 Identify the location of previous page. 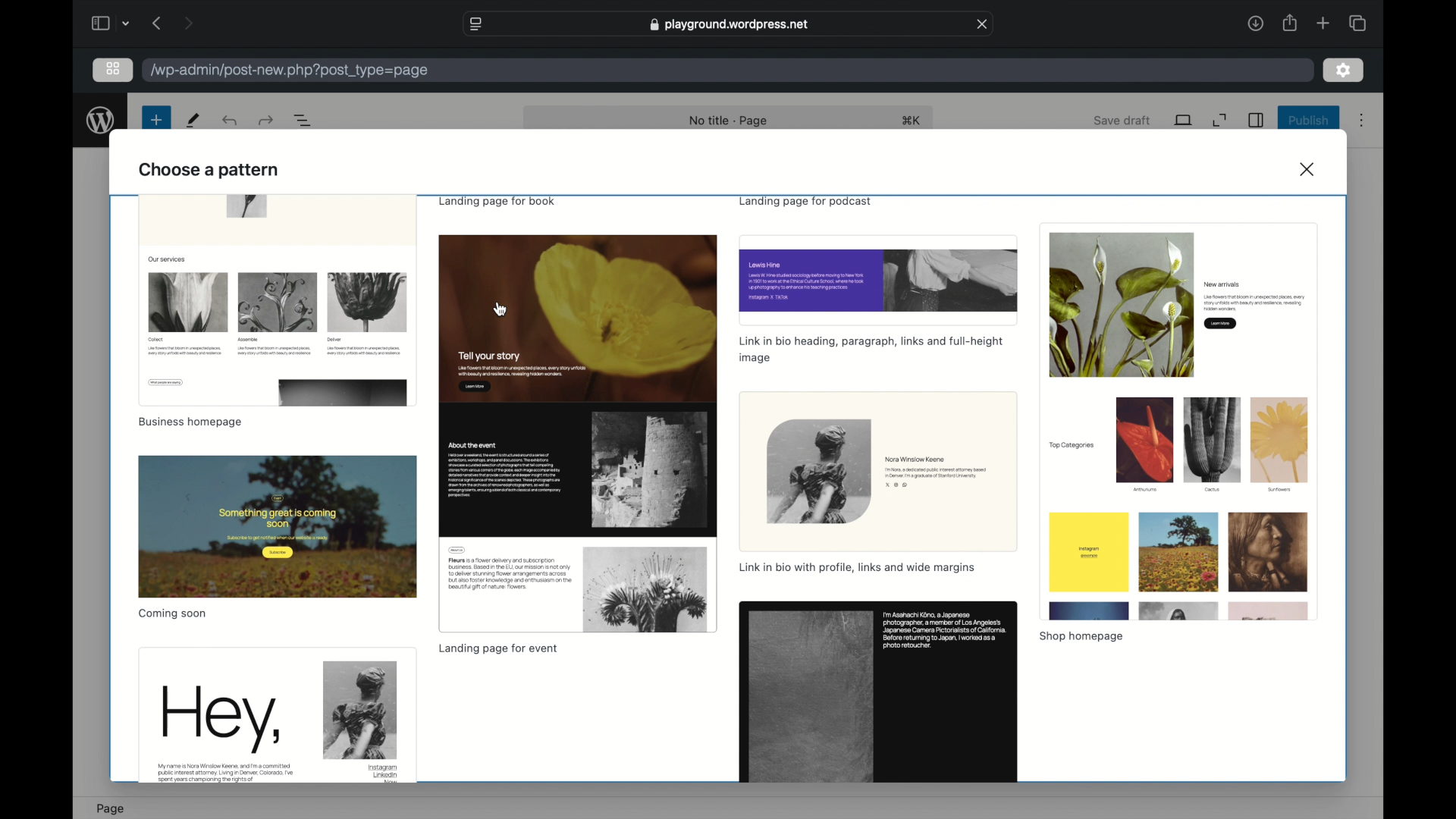
(156, 22).